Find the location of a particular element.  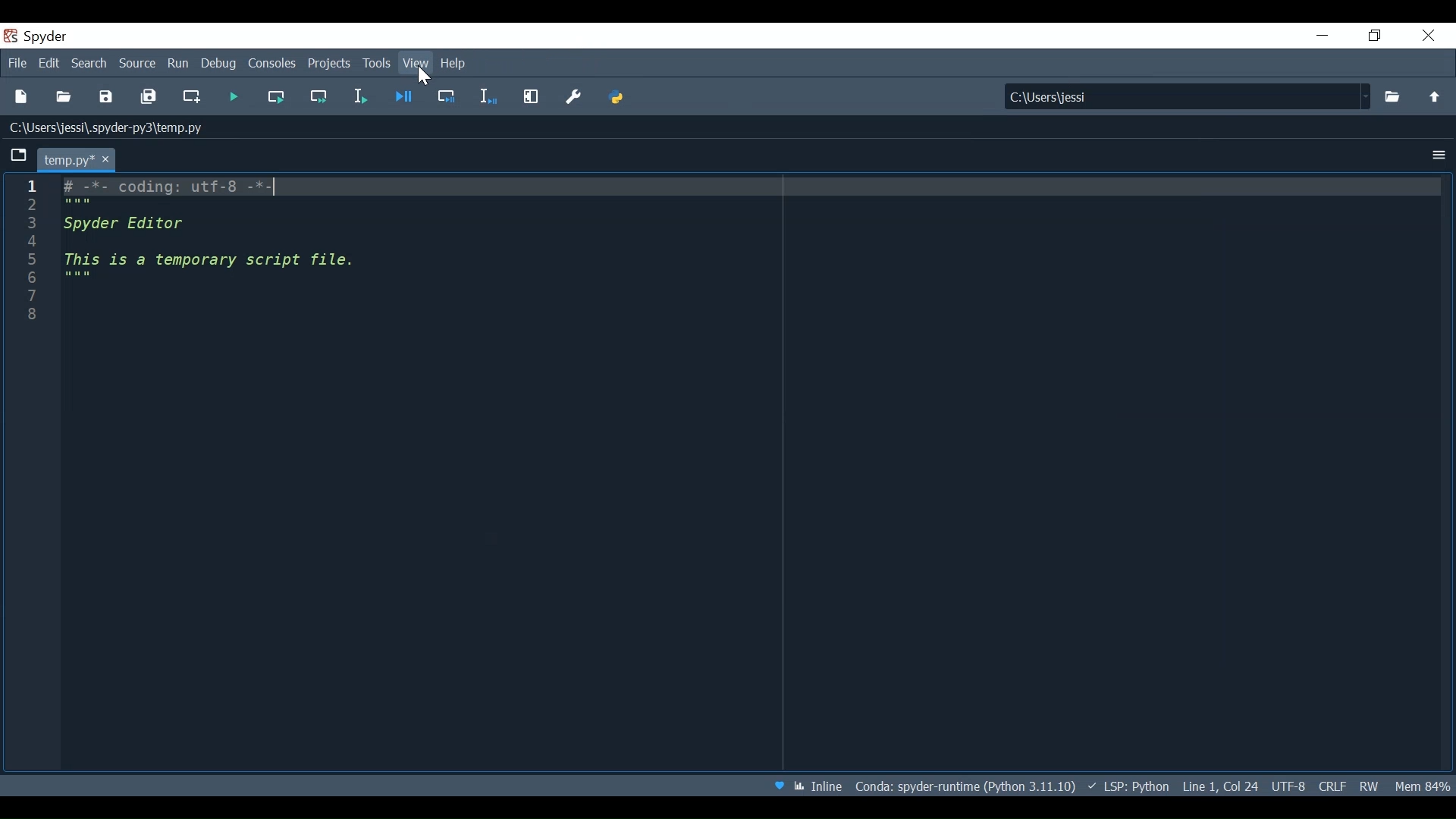

Console is located at coordinates (272, 63).